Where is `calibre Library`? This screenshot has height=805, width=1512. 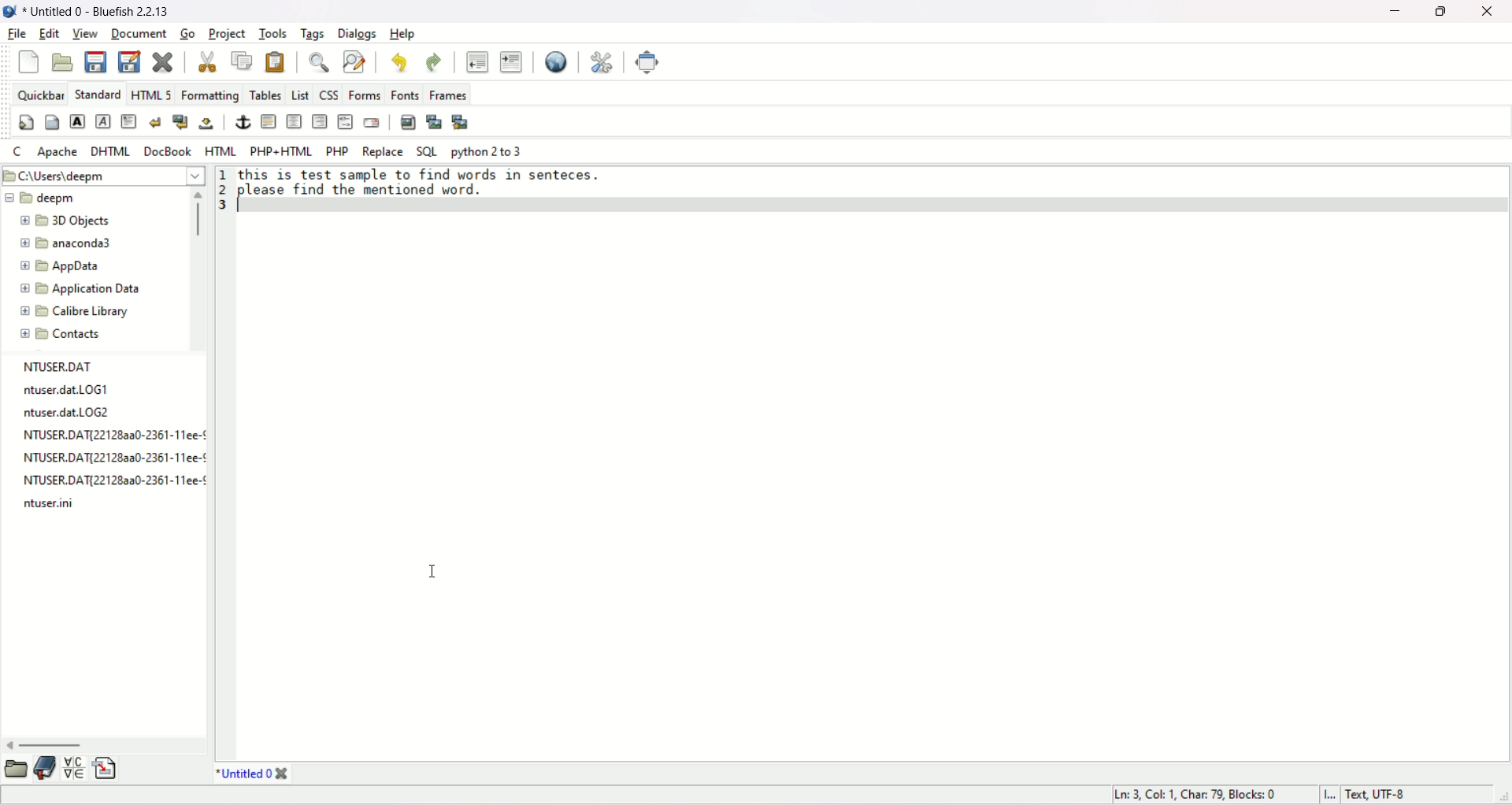 calibre Library is located at coordinates (69, 311).